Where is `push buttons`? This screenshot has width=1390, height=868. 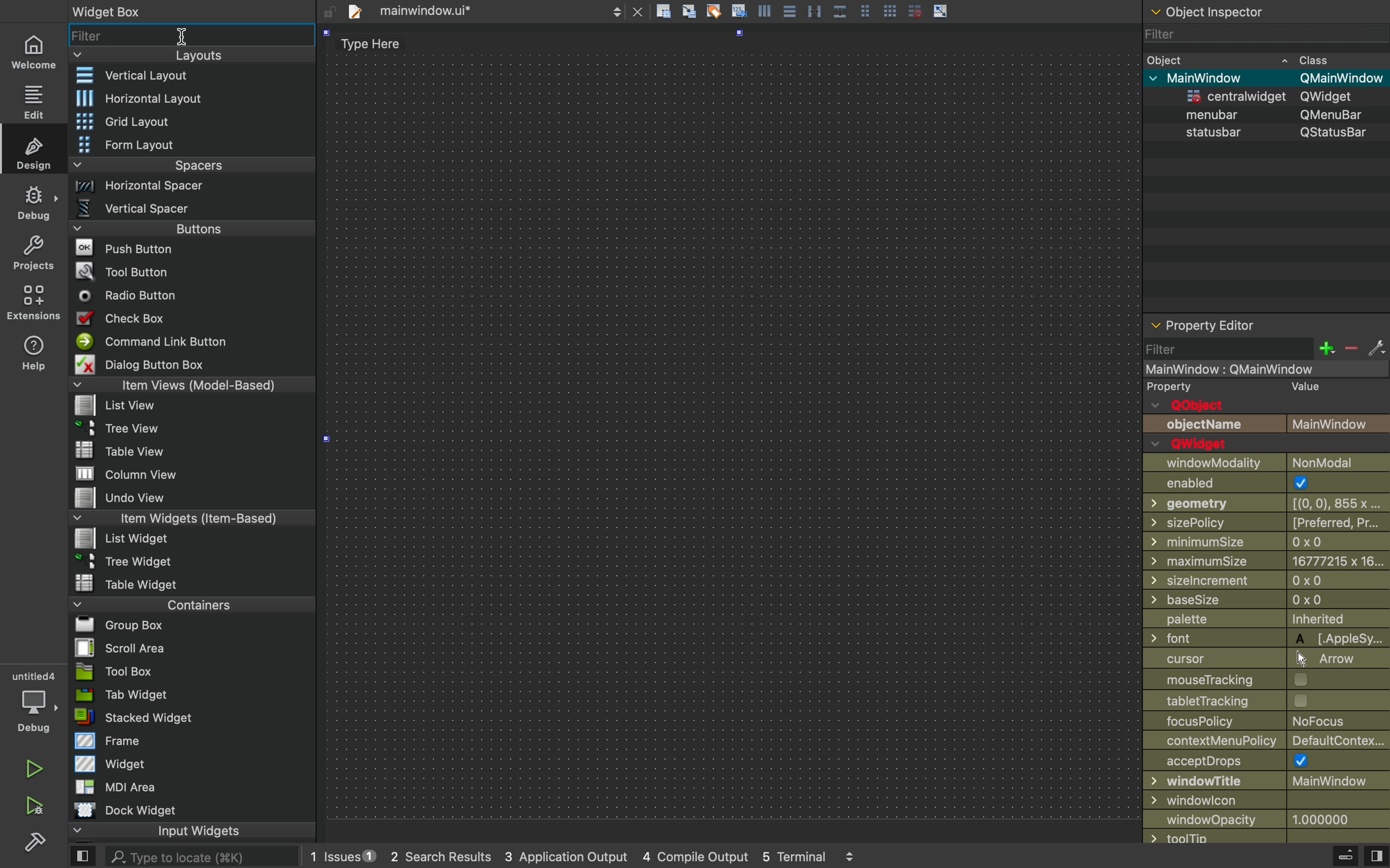 push buttons is located at coordinates (193, 247).